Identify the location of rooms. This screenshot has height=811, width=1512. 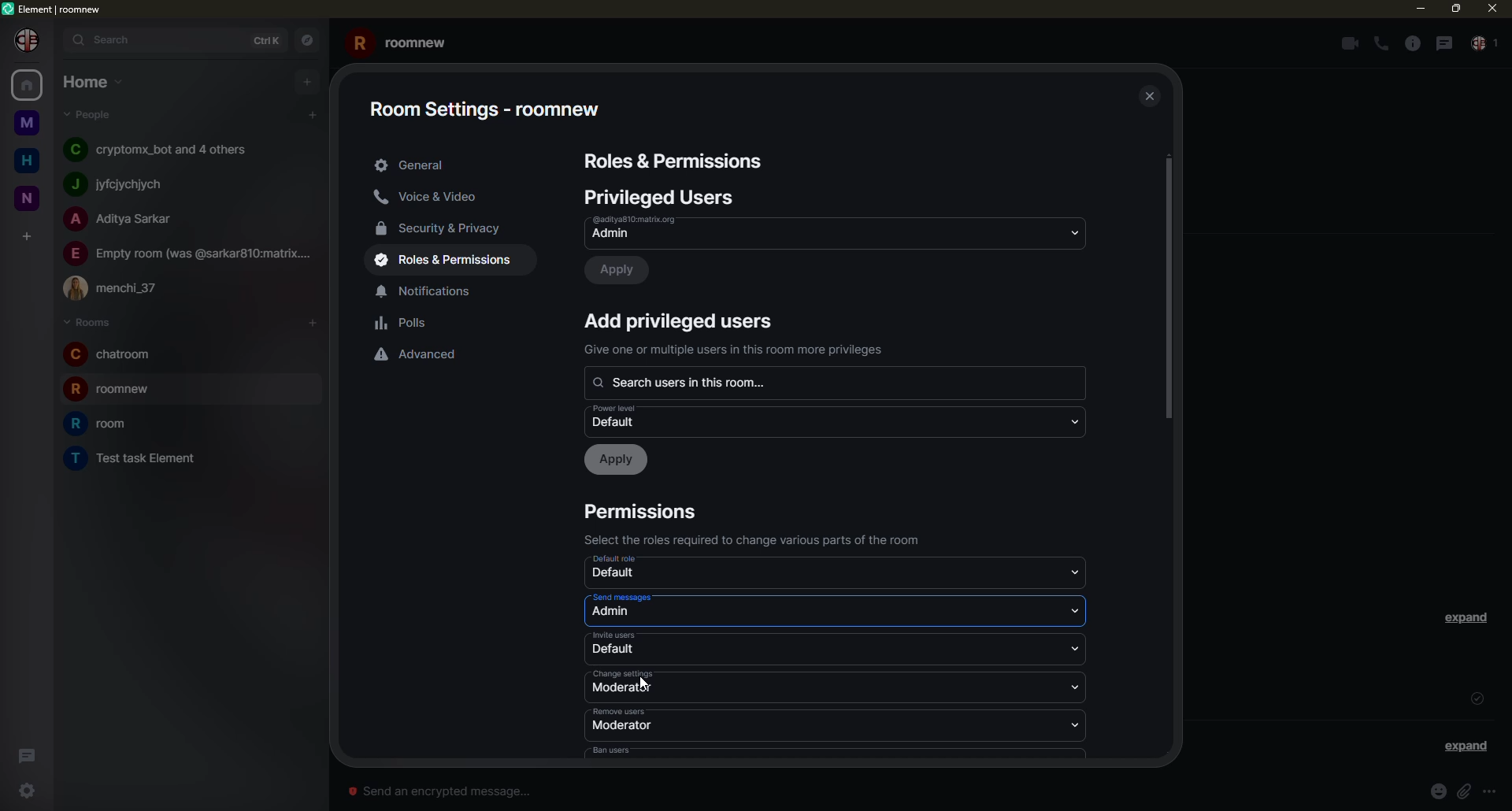
(87, 321).